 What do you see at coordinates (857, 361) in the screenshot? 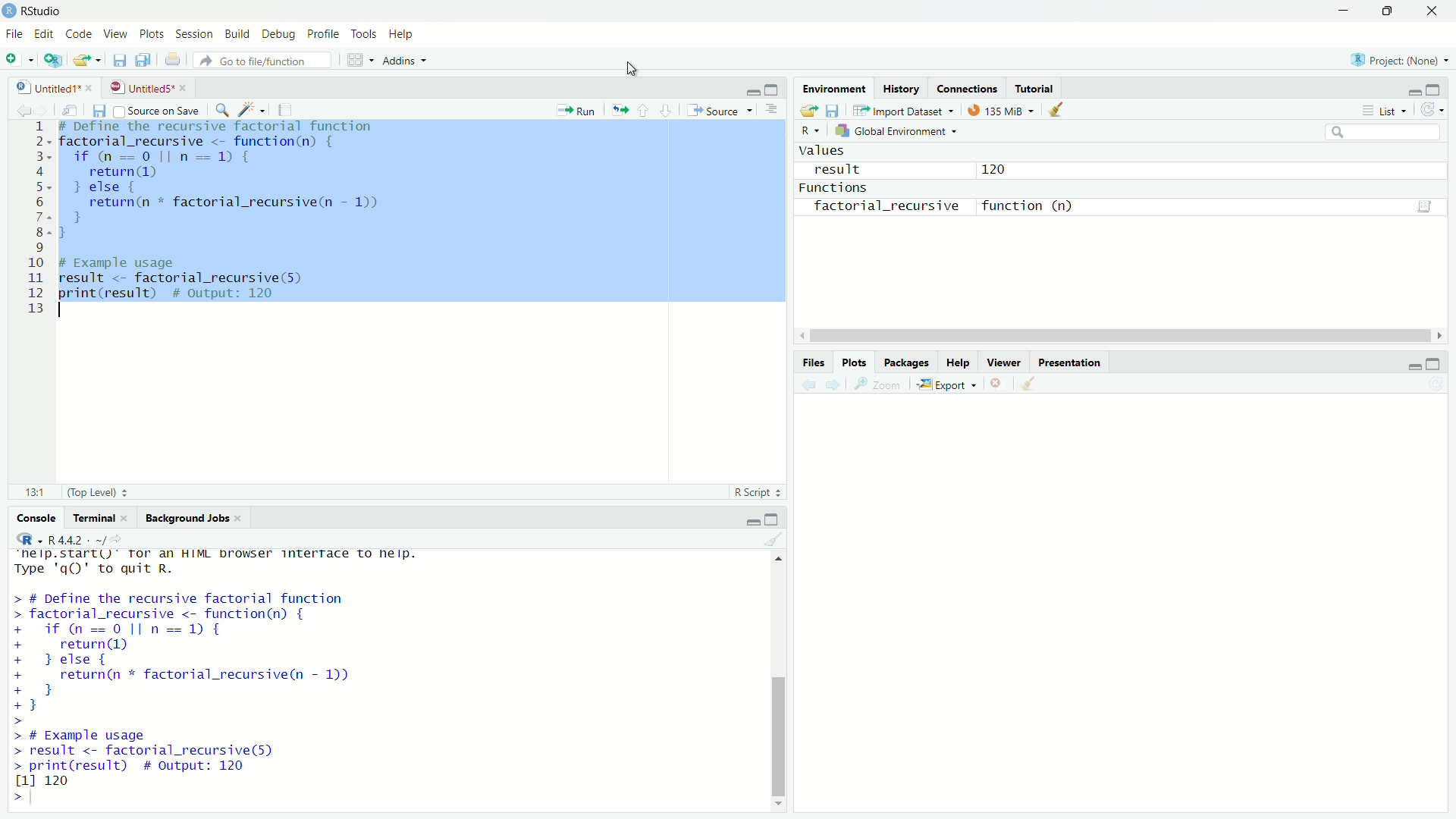
I see `Plots` at bounding box center [857, 361].